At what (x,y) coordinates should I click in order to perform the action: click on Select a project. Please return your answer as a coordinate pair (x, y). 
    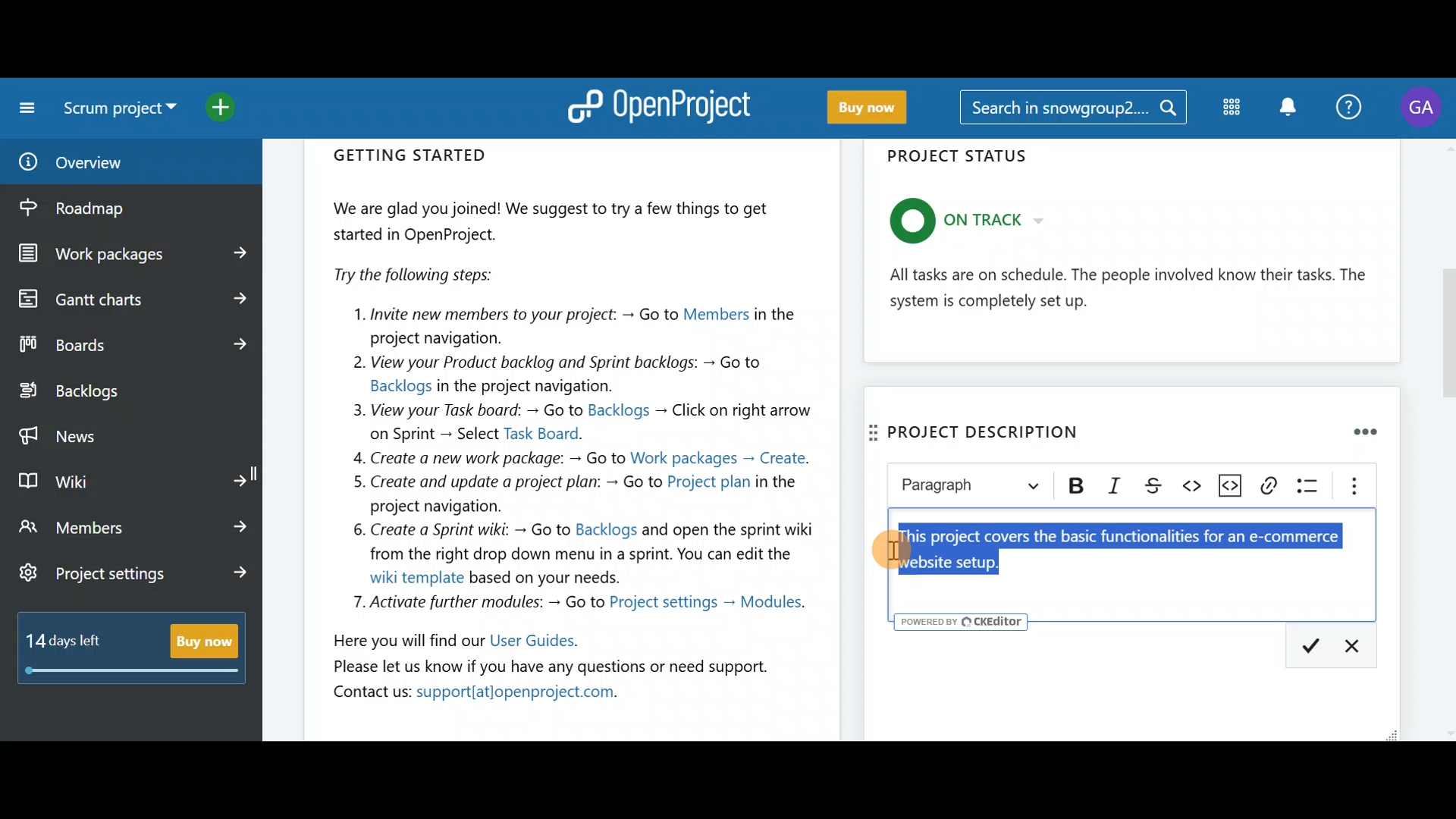
    Looking at the image, I should click on (123, 114).